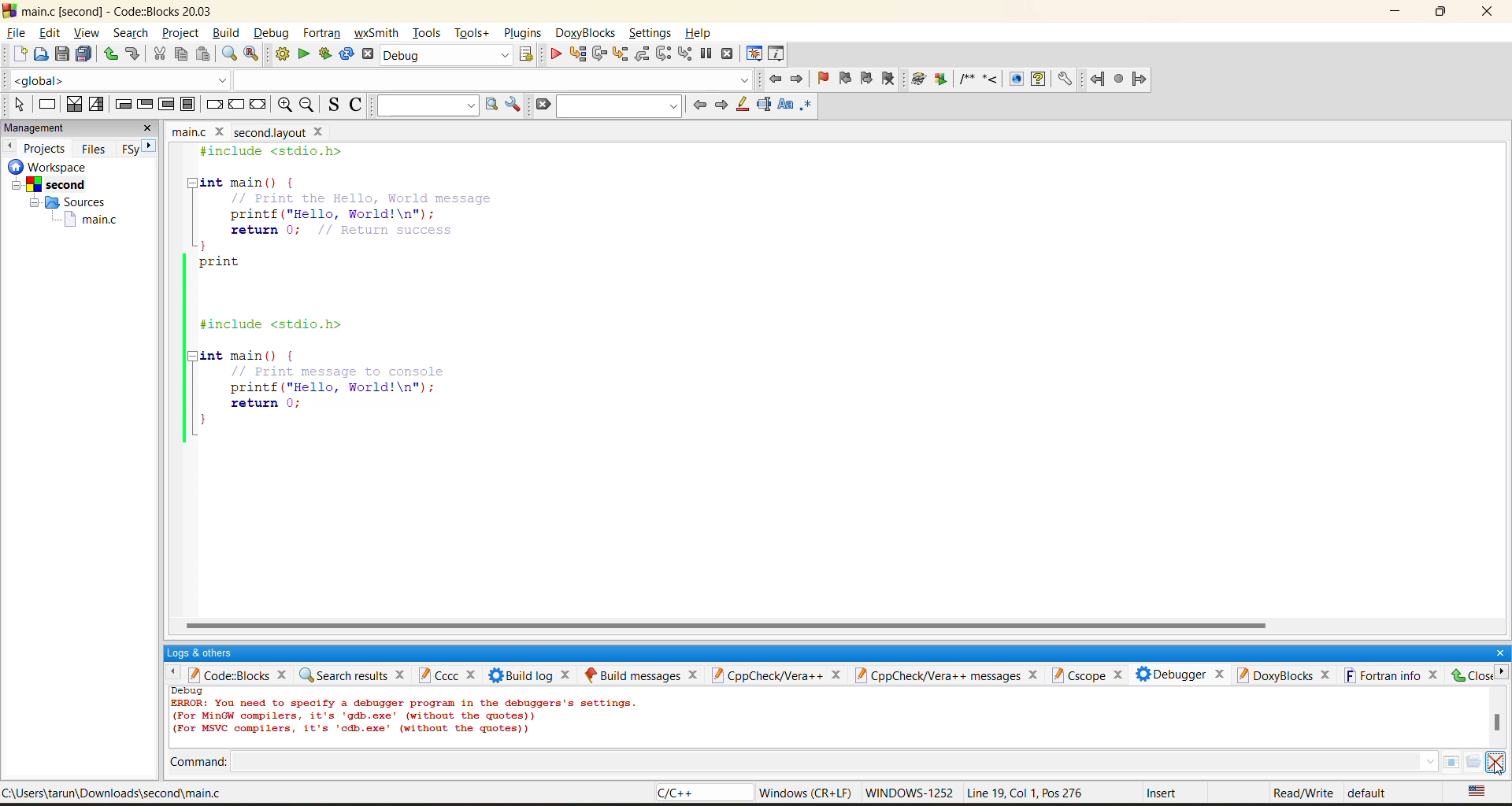 Image resolution: width=1512 pixels, height=806 pixels. What do you see at coordinates (350, 297) in the screenshot?
I see `code editor` at bounding box center [350, 297].